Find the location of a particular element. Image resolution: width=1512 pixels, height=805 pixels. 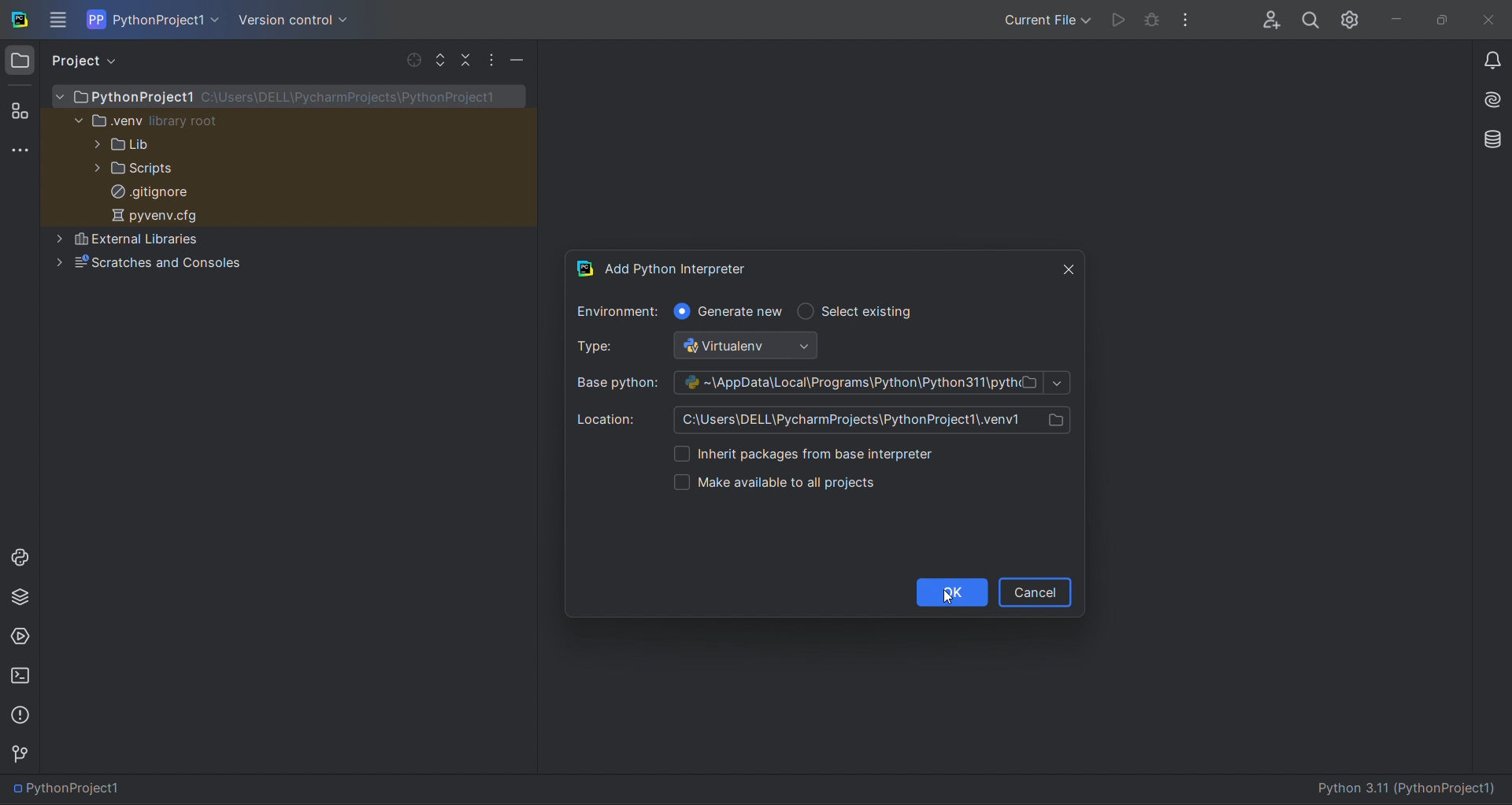

environment options is located at coordinates (750, 311).